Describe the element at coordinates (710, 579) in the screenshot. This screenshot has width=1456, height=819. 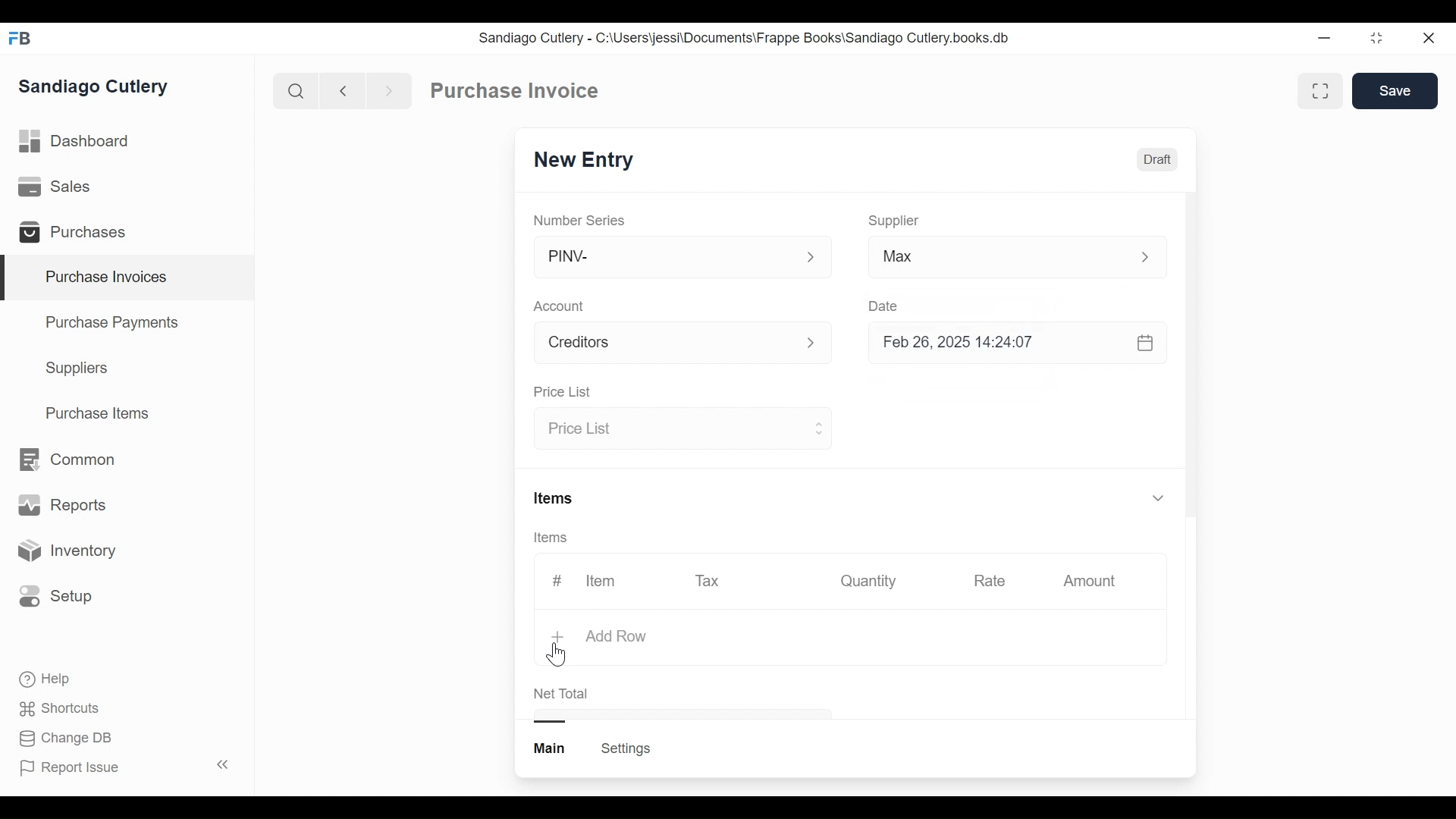
I see `Tax` at that location.